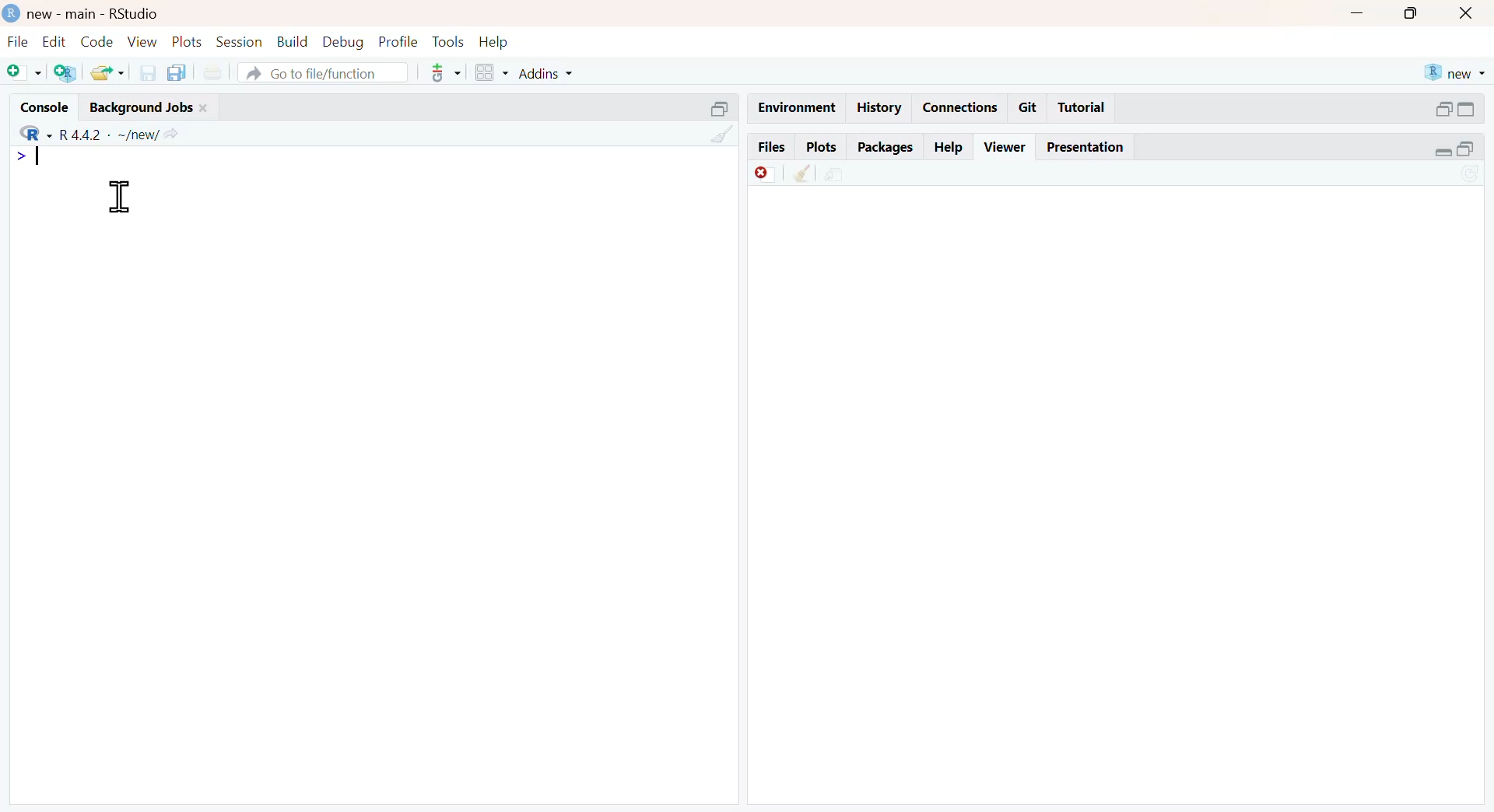 The image size is (1494, 812). I want to click on code, so click(97, 41).